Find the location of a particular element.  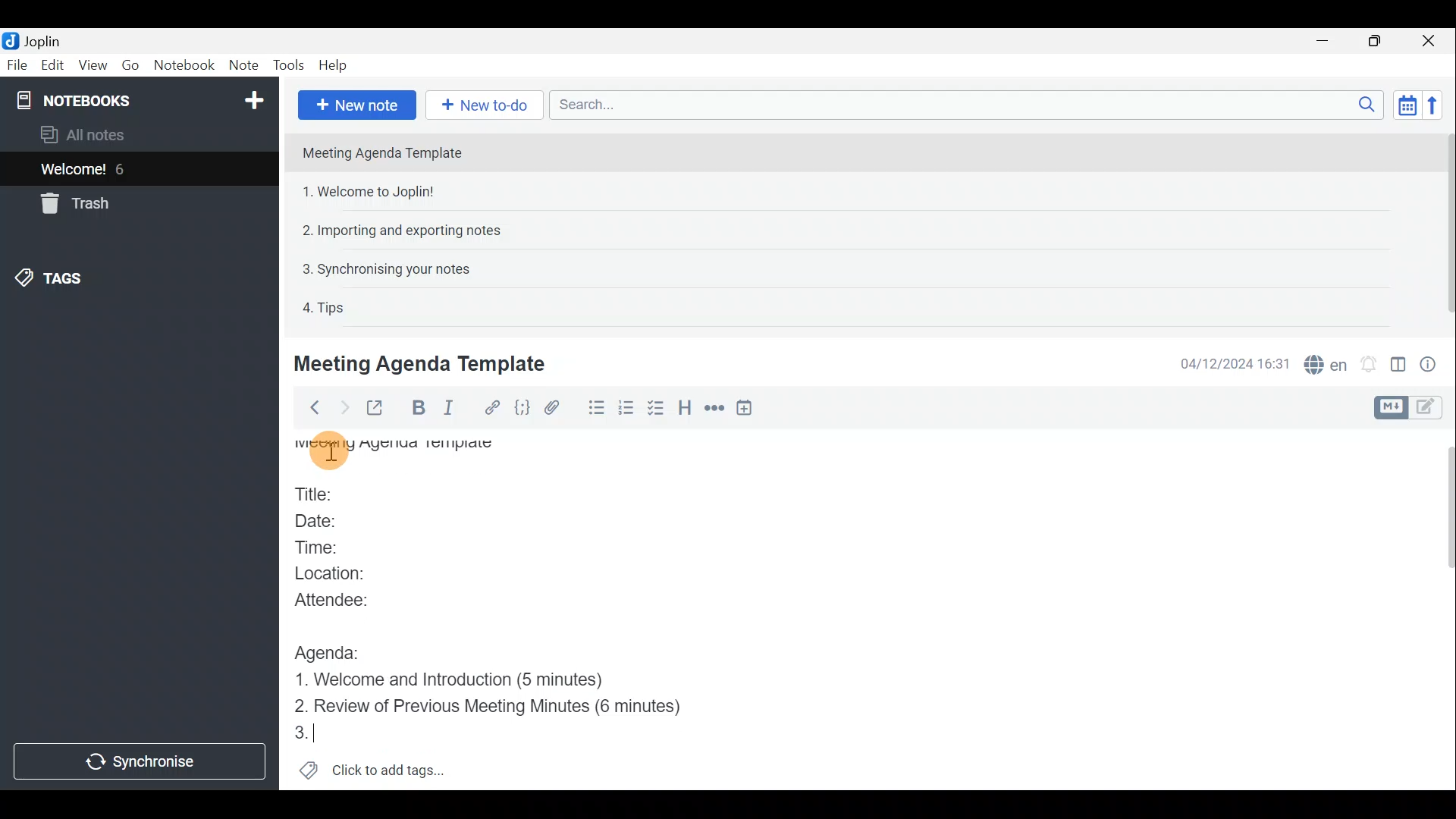

Click to add tags is located at coordinates (393, 767).